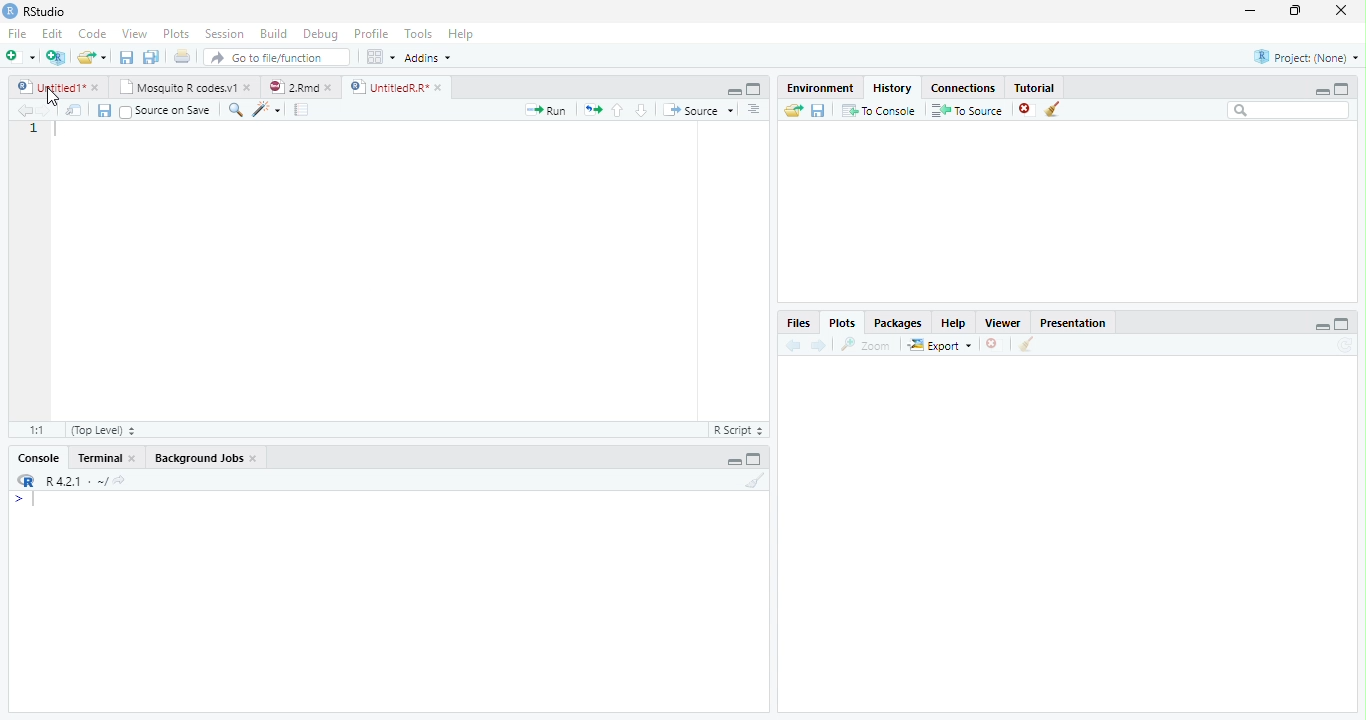 This screenshot has height=720, width=1366. I want to click on View, so click(134, 34).